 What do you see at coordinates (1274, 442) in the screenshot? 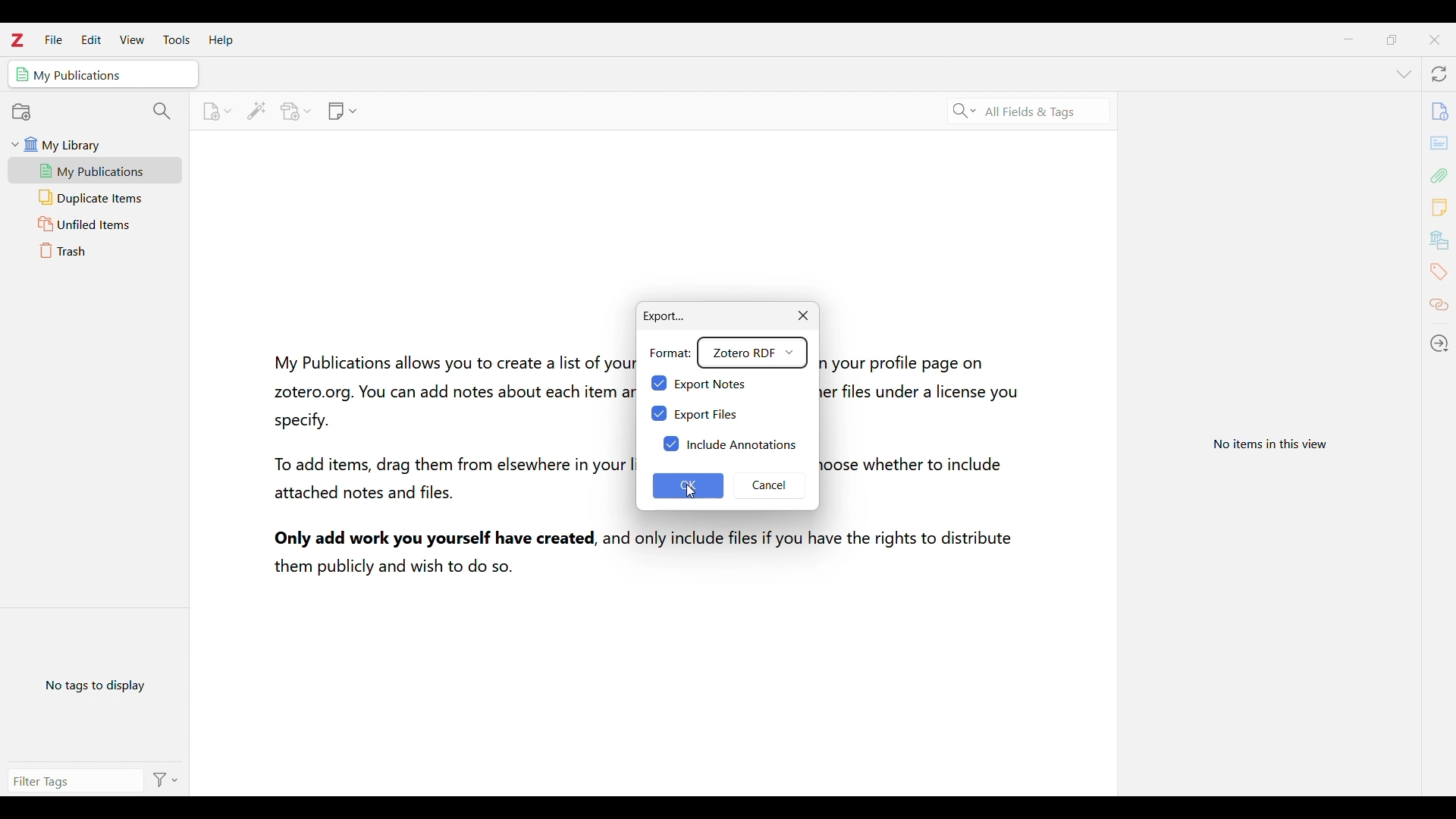
I see `View information specific to selected item` at bounding box center [1274, 442].